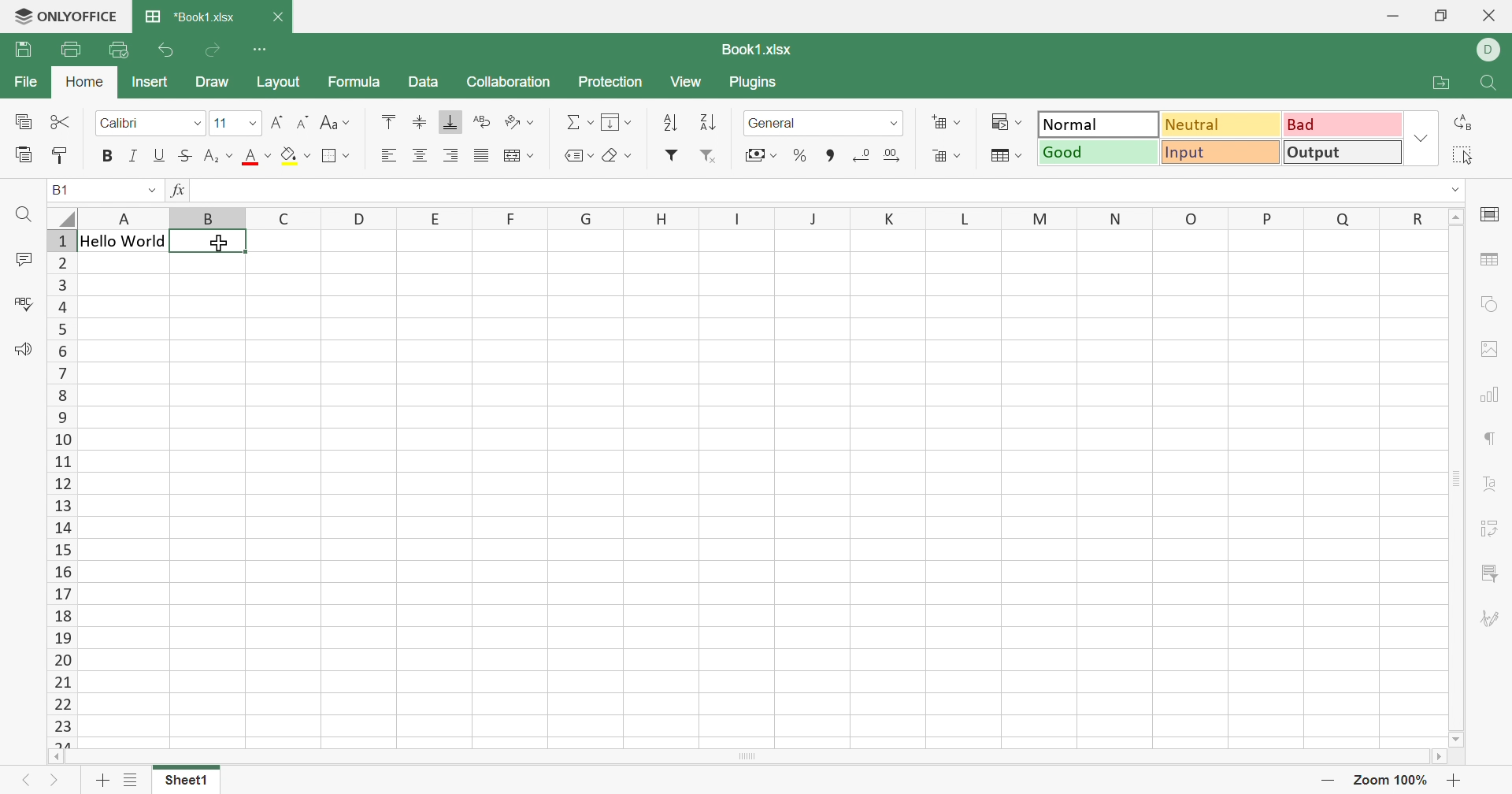 The height and width of the screenshot is (794, 1512). Describe the element at coordinates (132, 783) in the screenshot. I see `List of sheets` at that location.